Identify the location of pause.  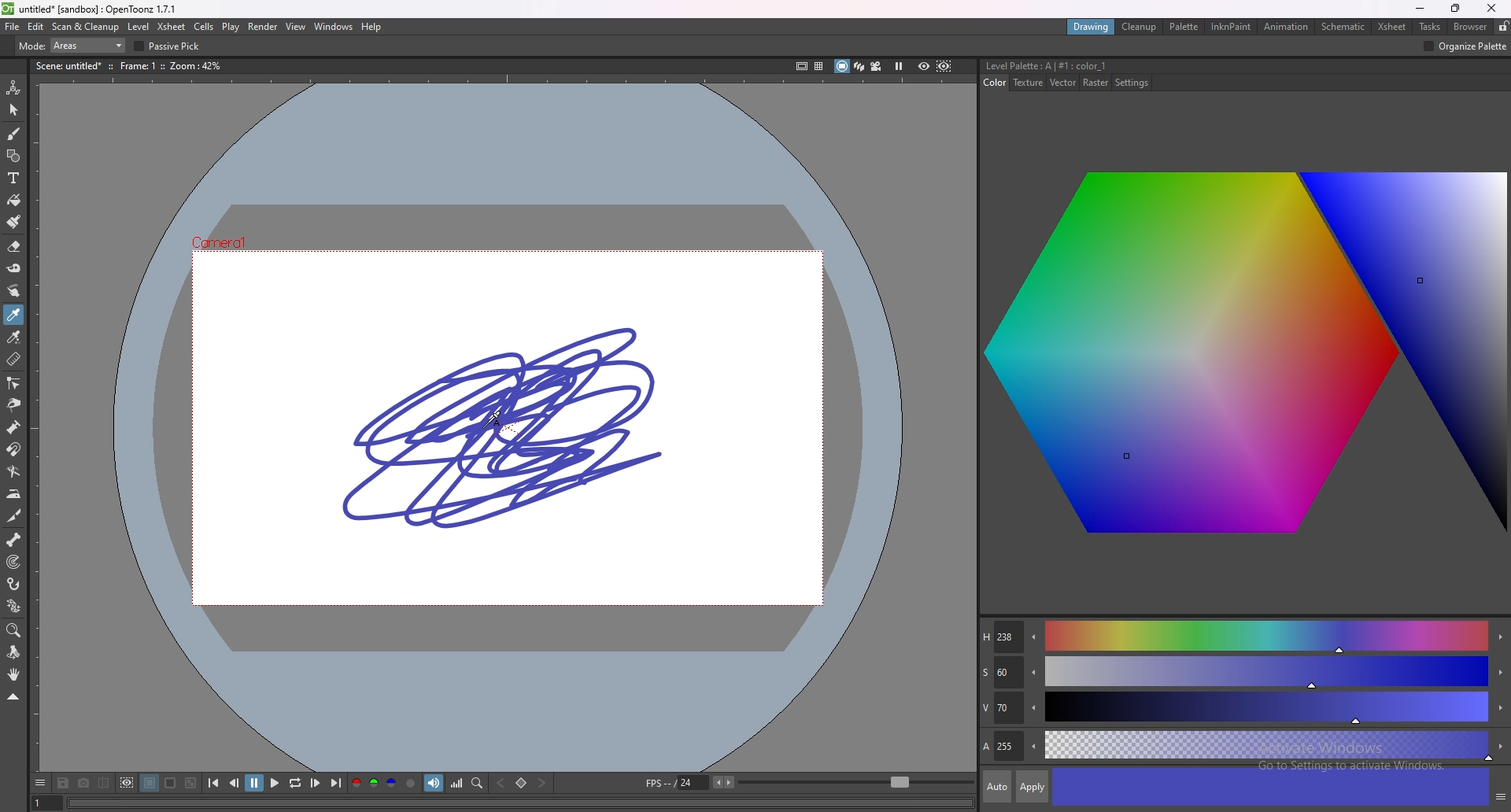
(254, 783).